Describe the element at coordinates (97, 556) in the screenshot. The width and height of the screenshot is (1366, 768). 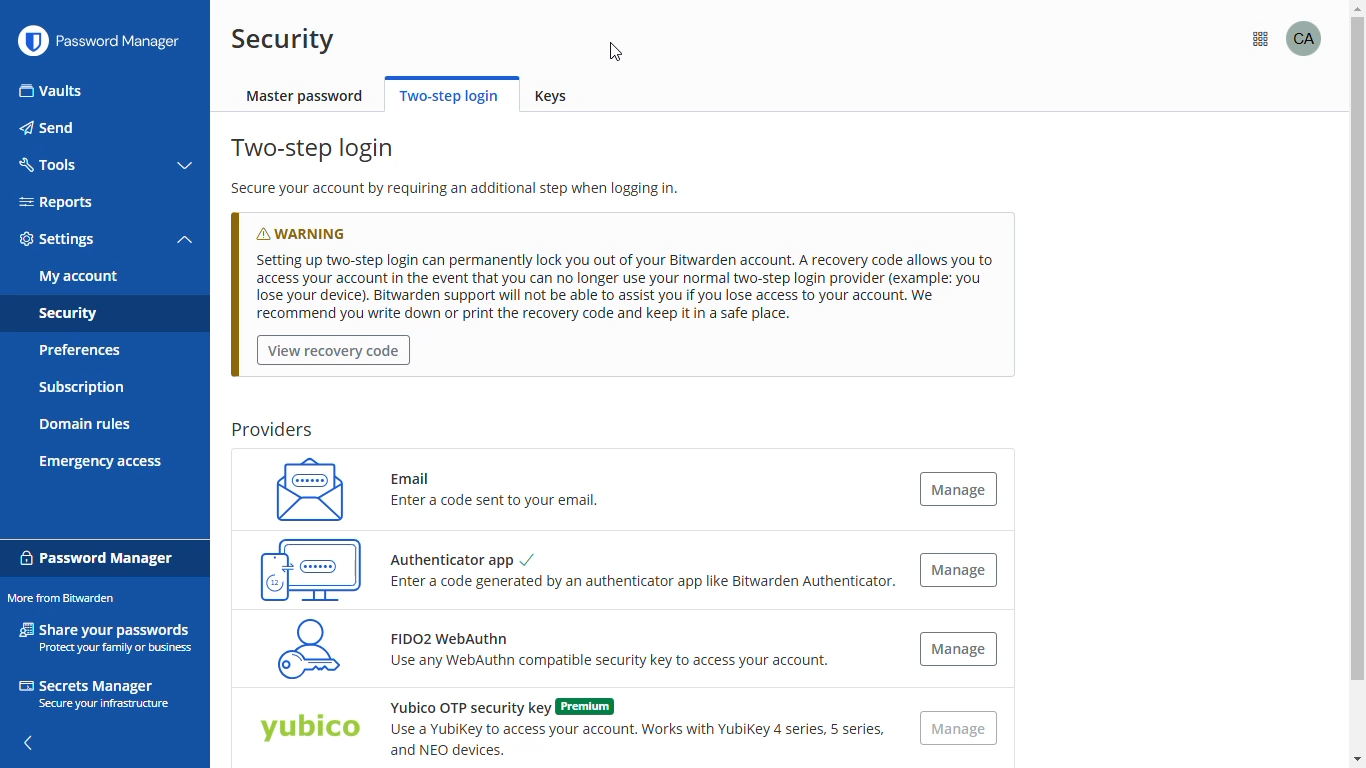
I see `password manager` at that location.